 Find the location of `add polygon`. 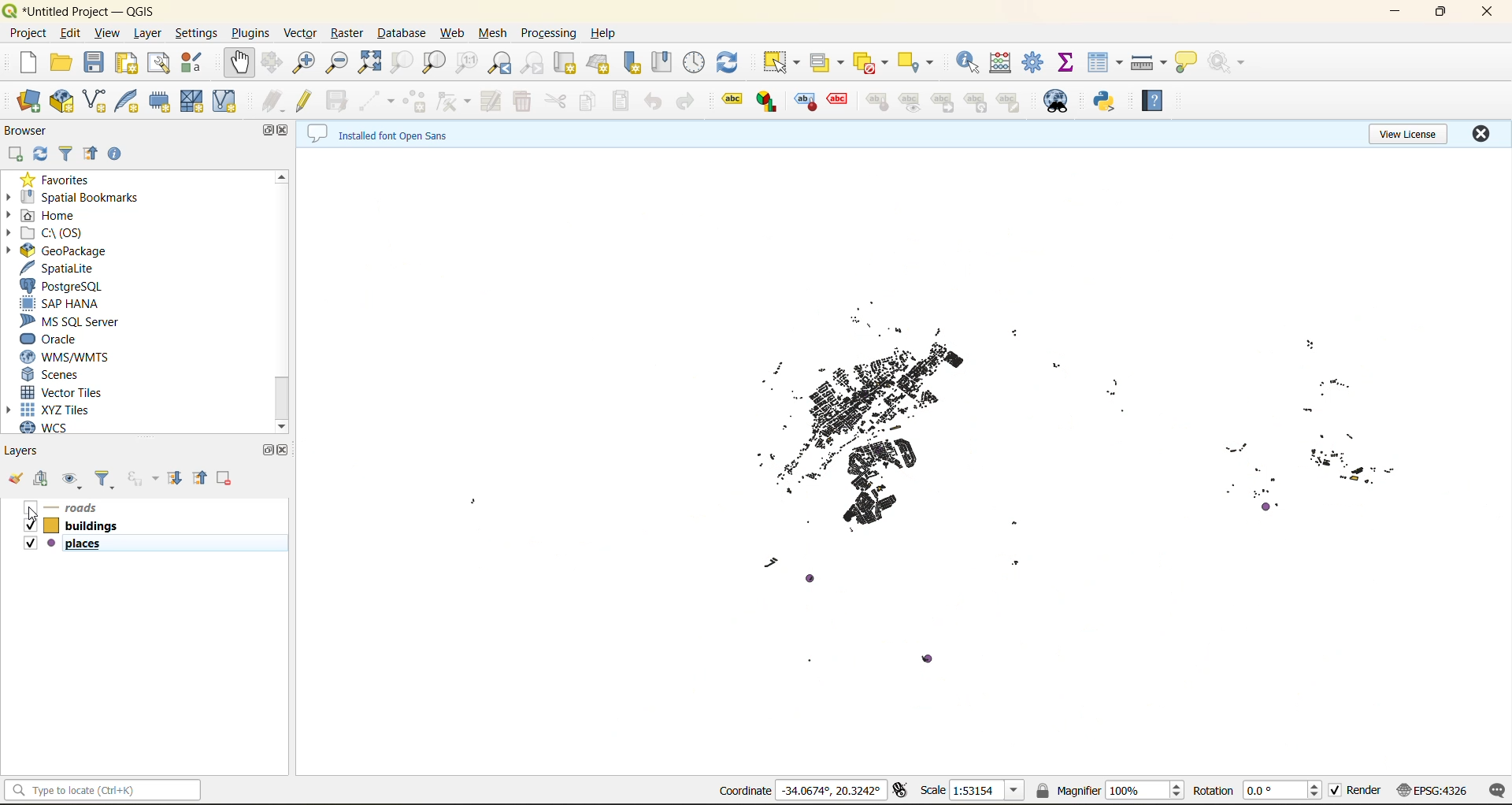

add polygon is located at coordinates (416, 100).